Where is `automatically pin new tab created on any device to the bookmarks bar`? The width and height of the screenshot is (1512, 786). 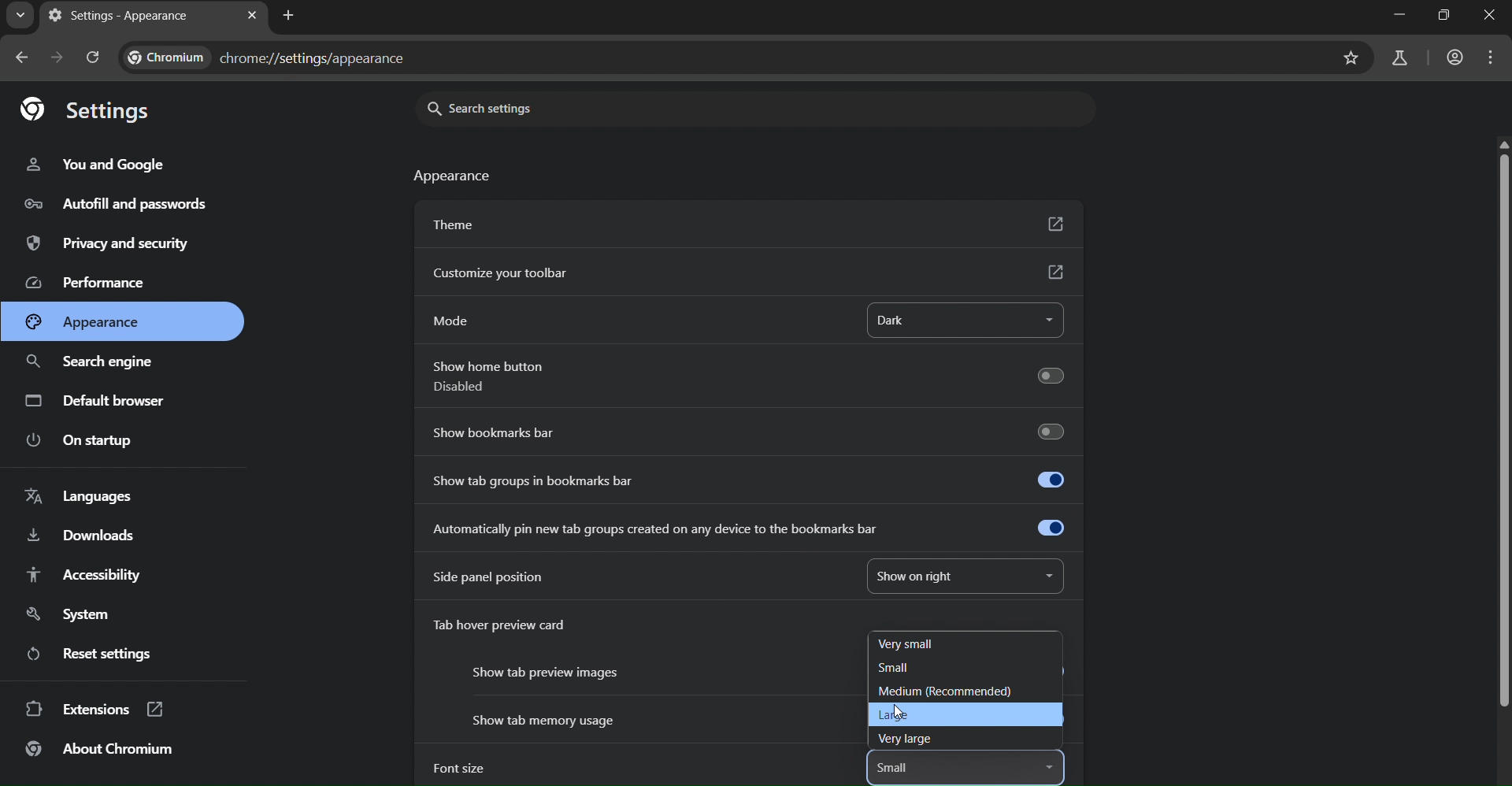
automatically pin new tab created on any device to the bookmarks bar is located at coordinates (753, 528).